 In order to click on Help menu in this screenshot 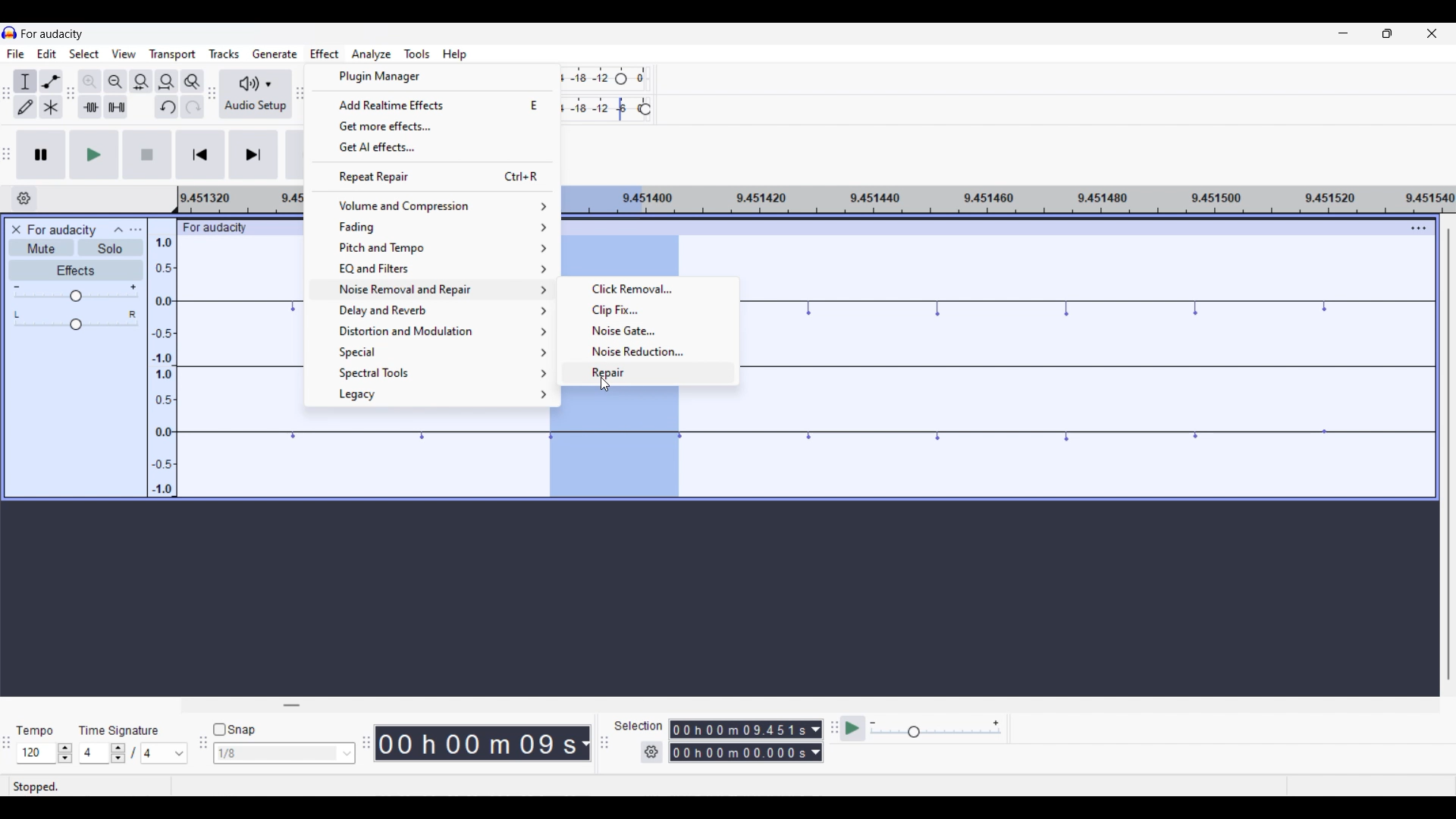, I will do `click(455, 55)`.